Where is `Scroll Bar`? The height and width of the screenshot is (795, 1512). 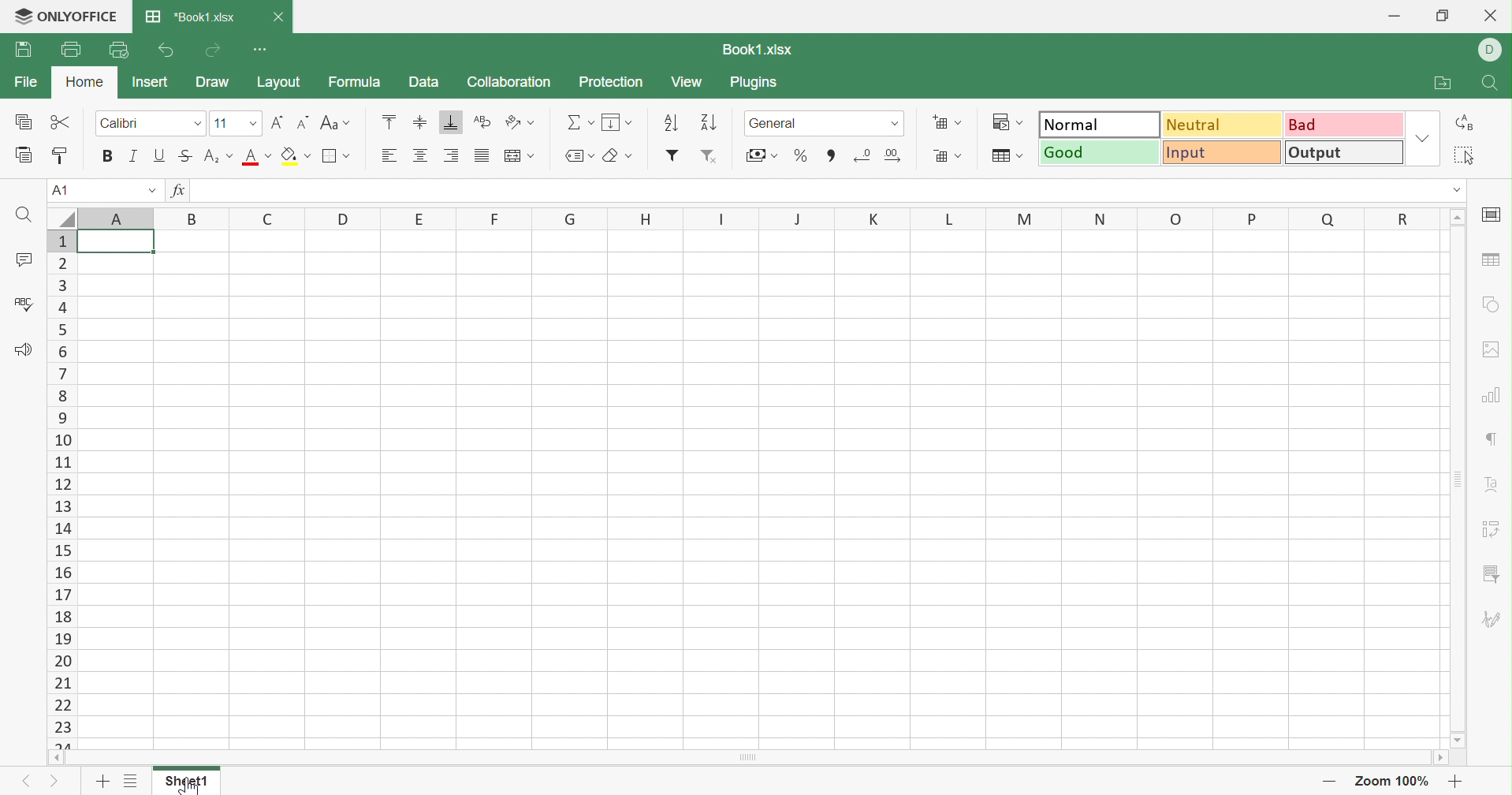
Scroll Bar is located at coordinates (744, 758).